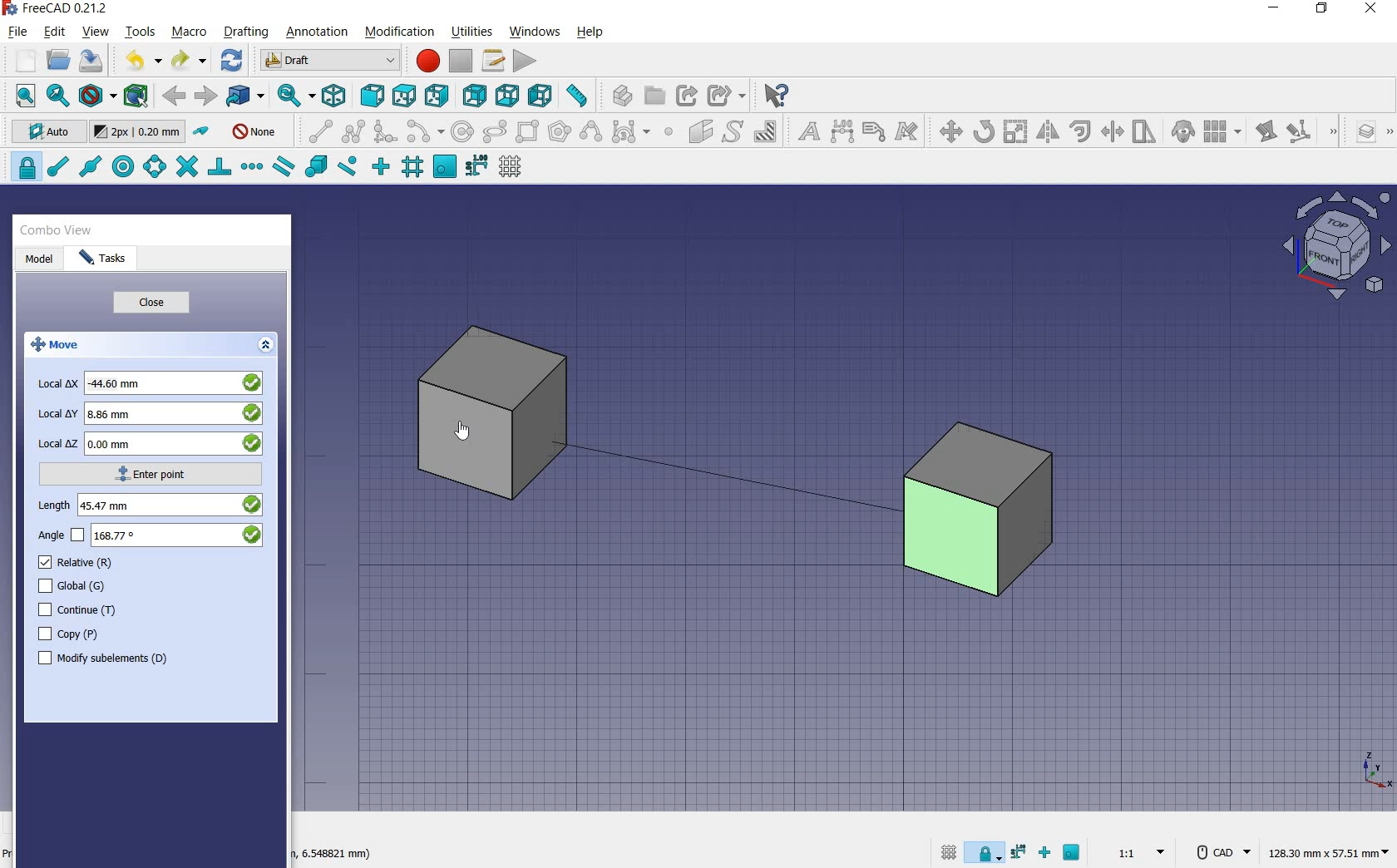 This screenshot has width=1397, height=868. I want to click on clone, so click(1183, 132).